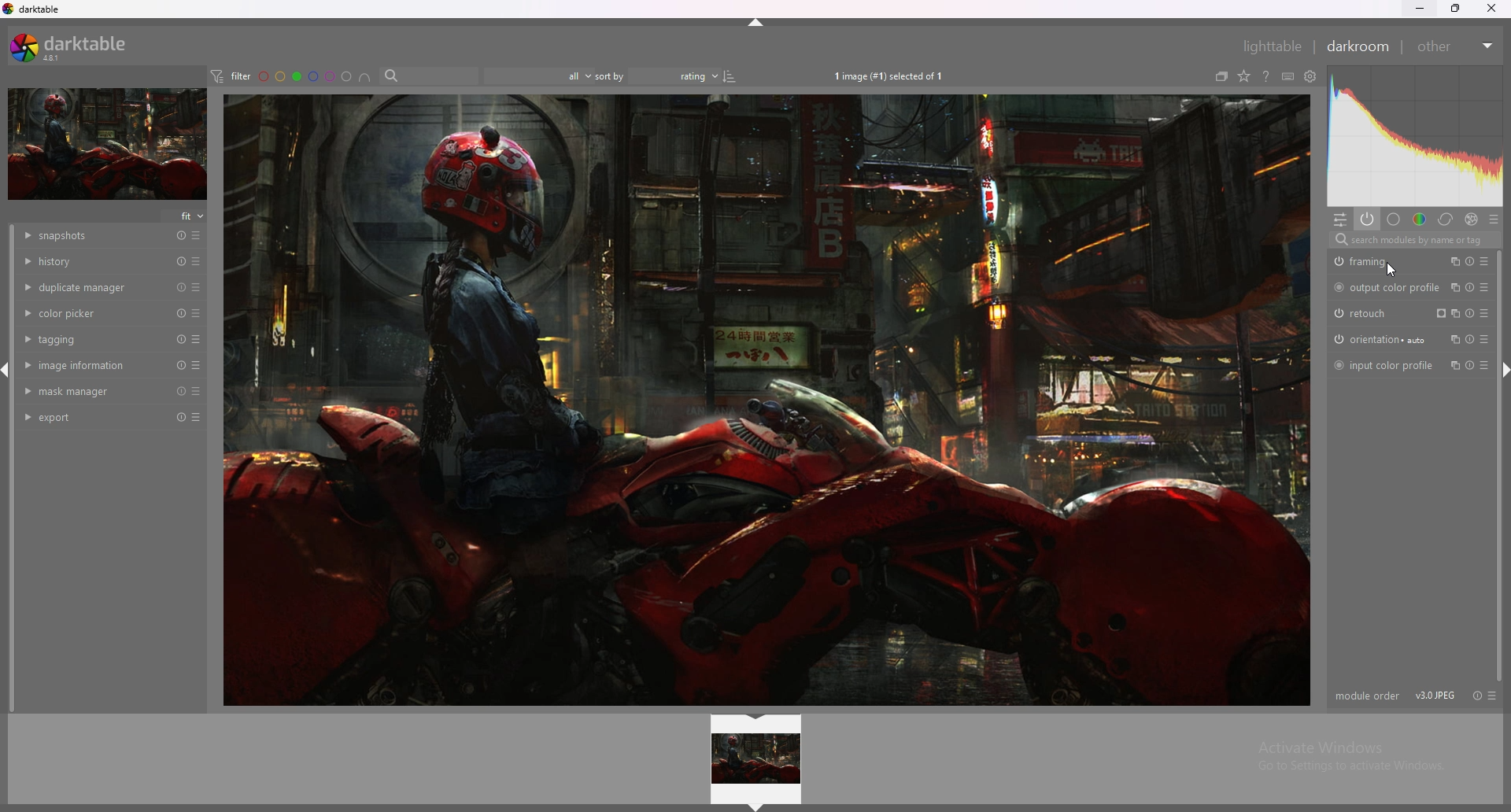 This screenshot has width=1511, height=812. I want to click on presets, so click(197, 365).